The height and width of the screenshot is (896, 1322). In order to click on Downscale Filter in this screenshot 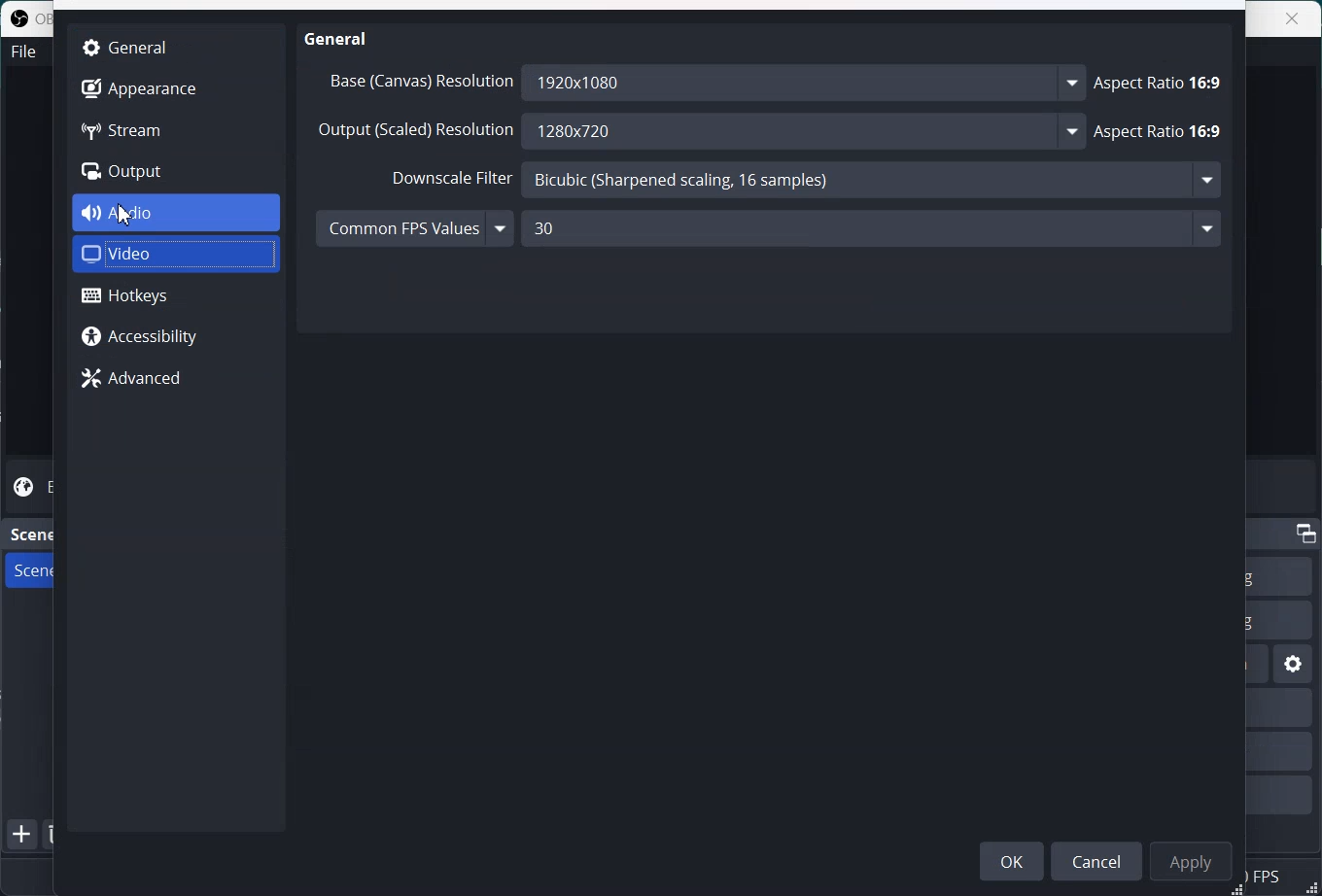, I will do `click(453, 179)`.